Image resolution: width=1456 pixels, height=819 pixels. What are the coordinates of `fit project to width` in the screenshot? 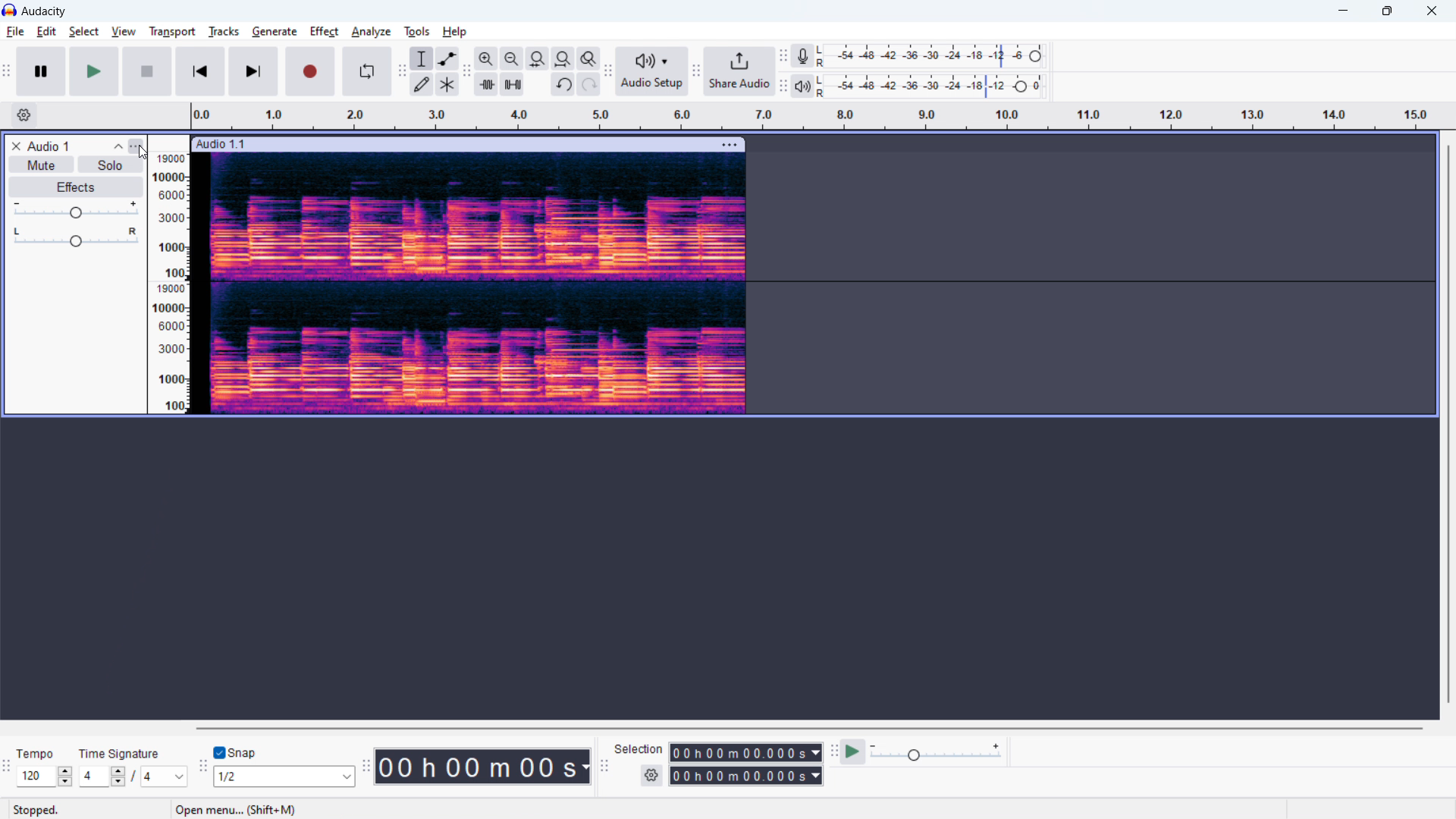 It's located at (563, 58).